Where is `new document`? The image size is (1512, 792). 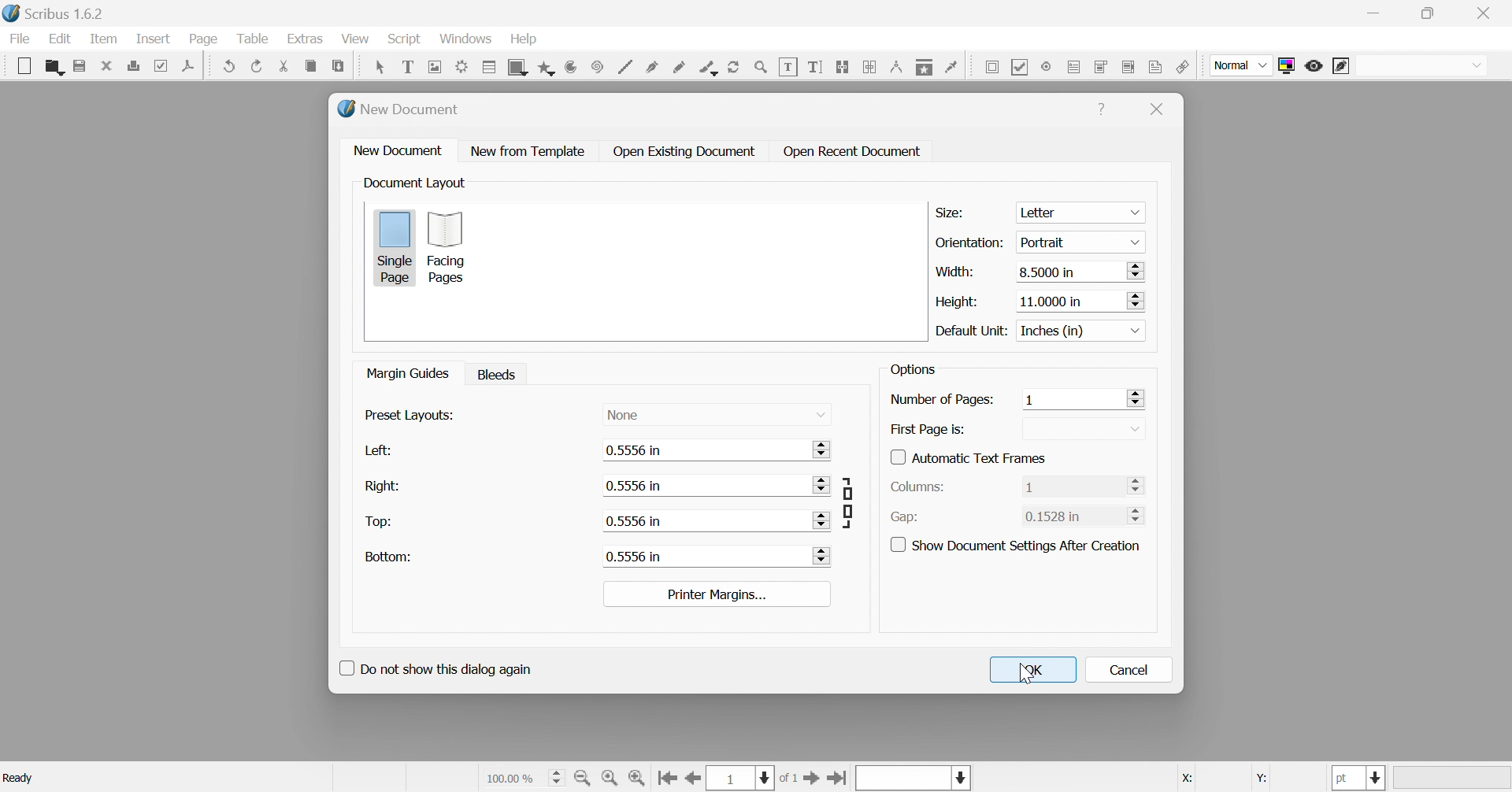 new document is located at coordinates (396, 150).